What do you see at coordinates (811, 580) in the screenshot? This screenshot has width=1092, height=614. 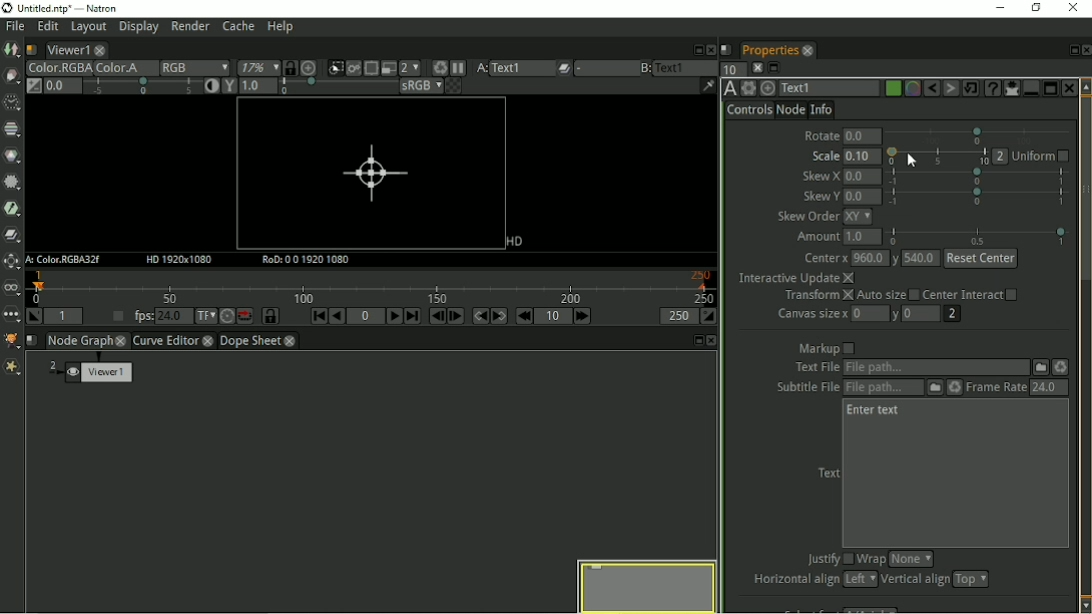 I see `Horizontal align` at bounding box center [811, 580].